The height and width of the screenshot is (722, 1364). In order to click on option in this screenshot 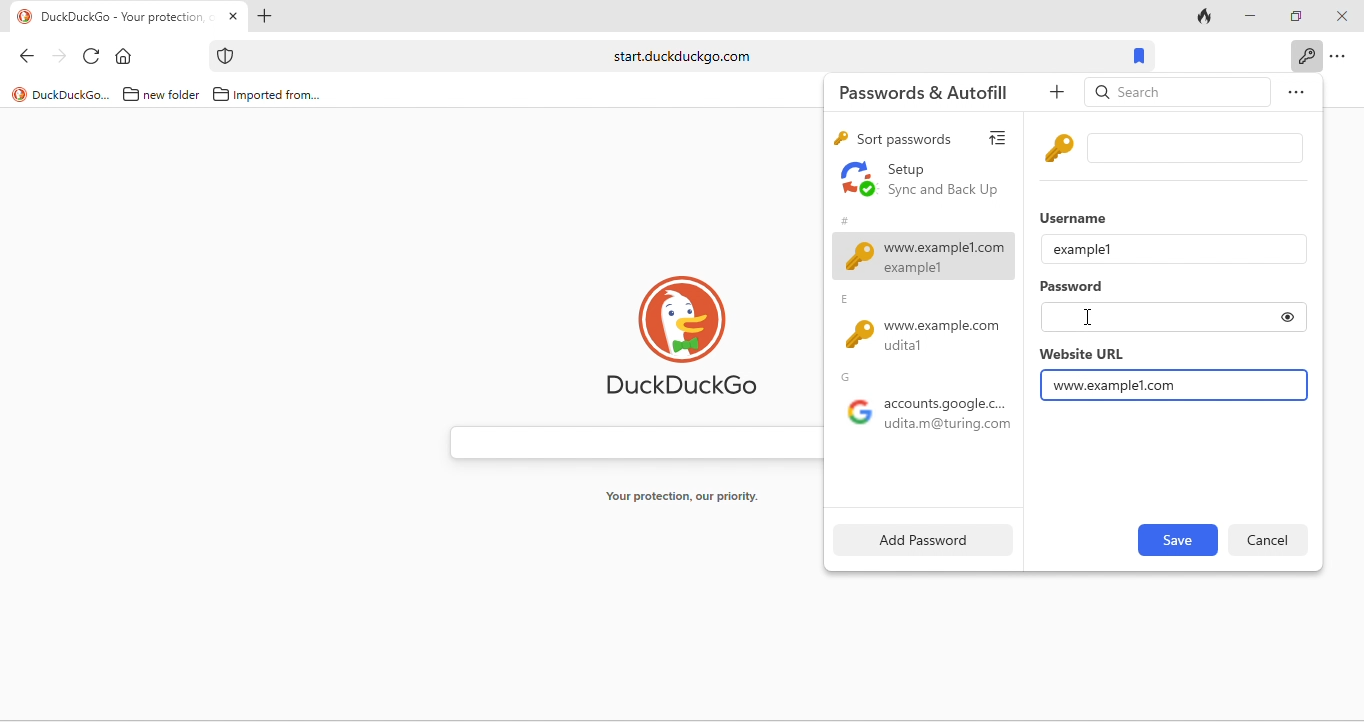, I will do `click(1292, 95)`.